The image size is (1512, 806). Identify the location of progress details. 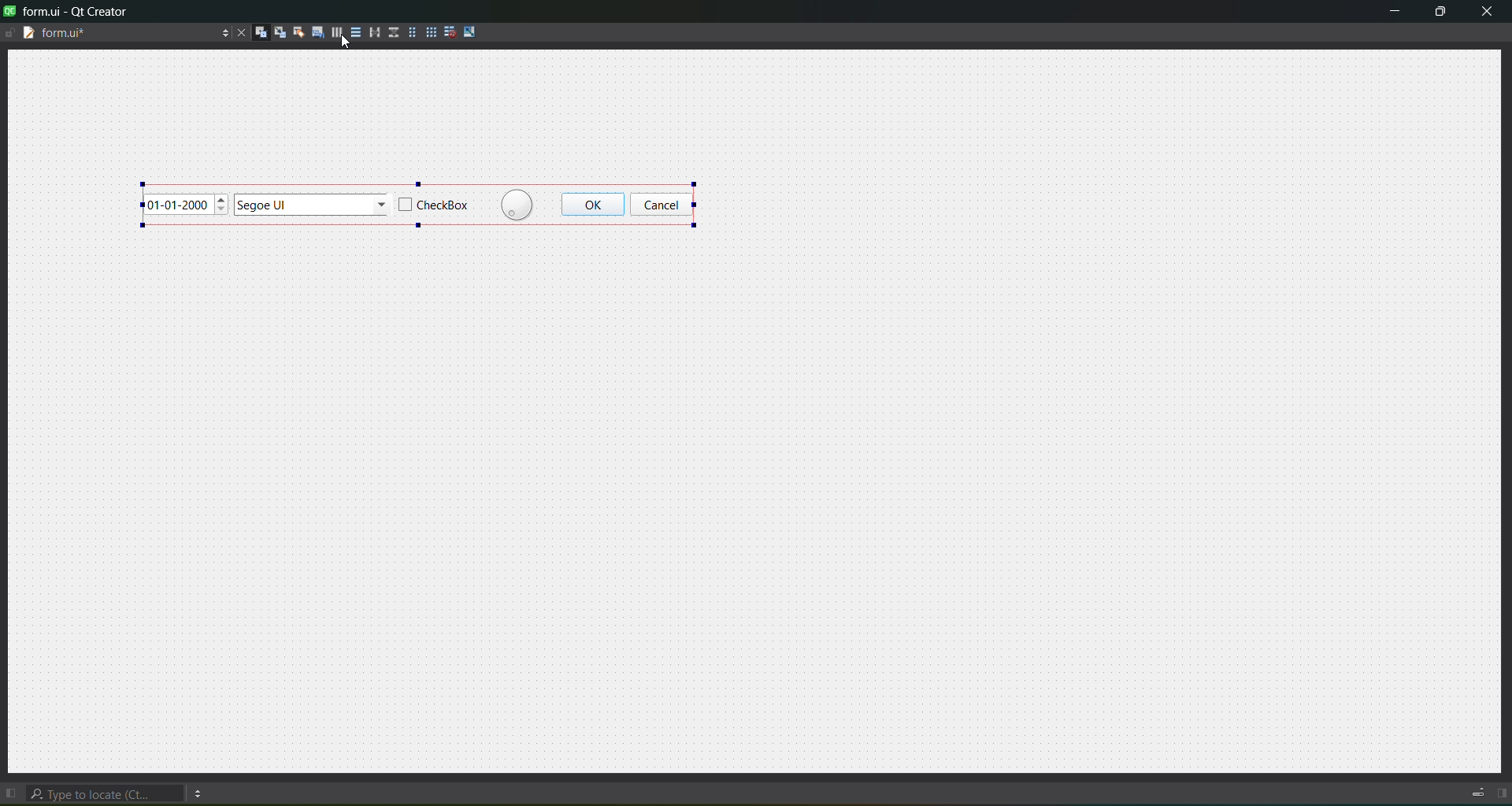
(1477, 793).